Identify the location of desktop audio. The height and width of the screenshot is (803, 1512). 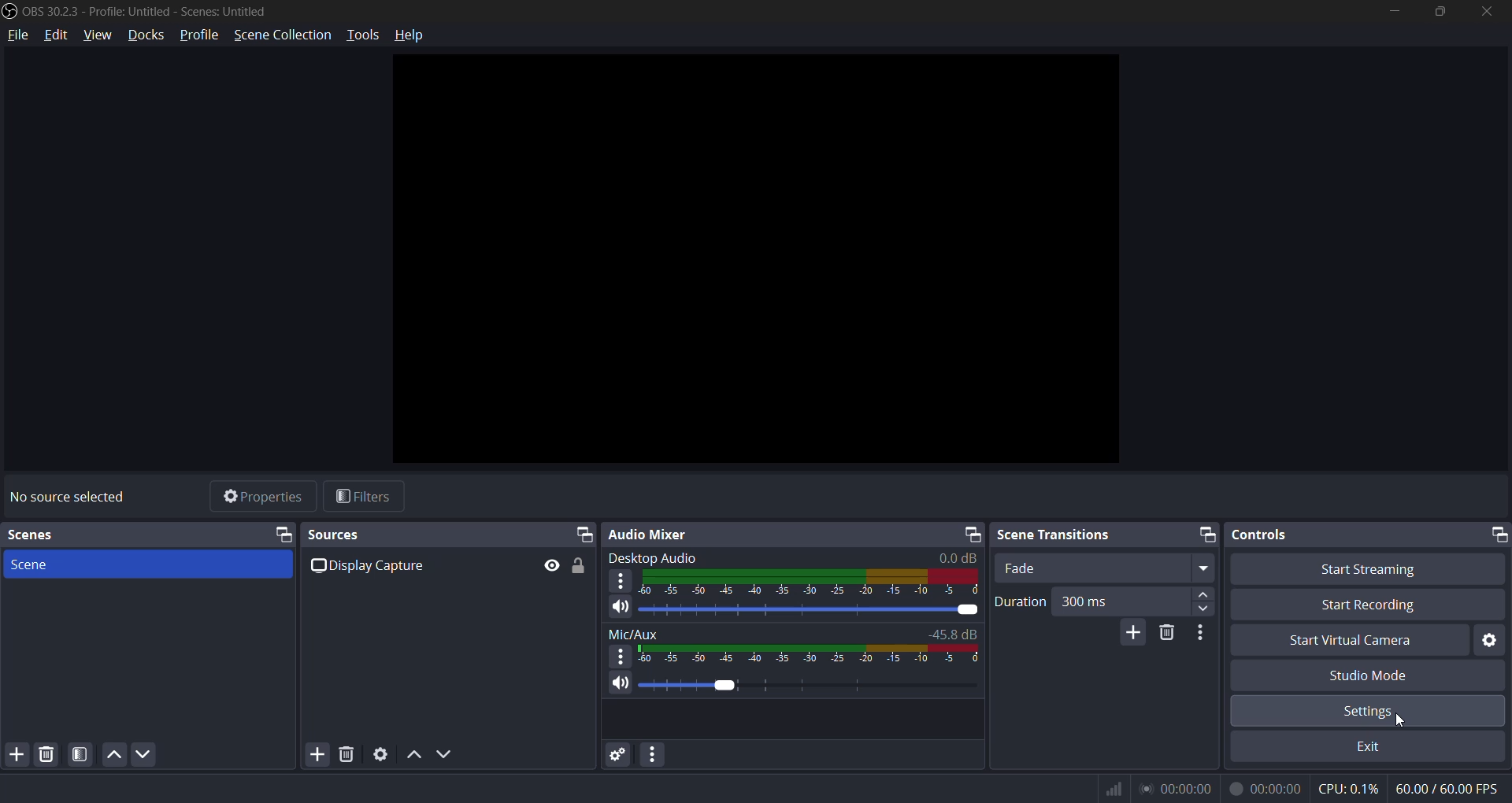
(654, 561).